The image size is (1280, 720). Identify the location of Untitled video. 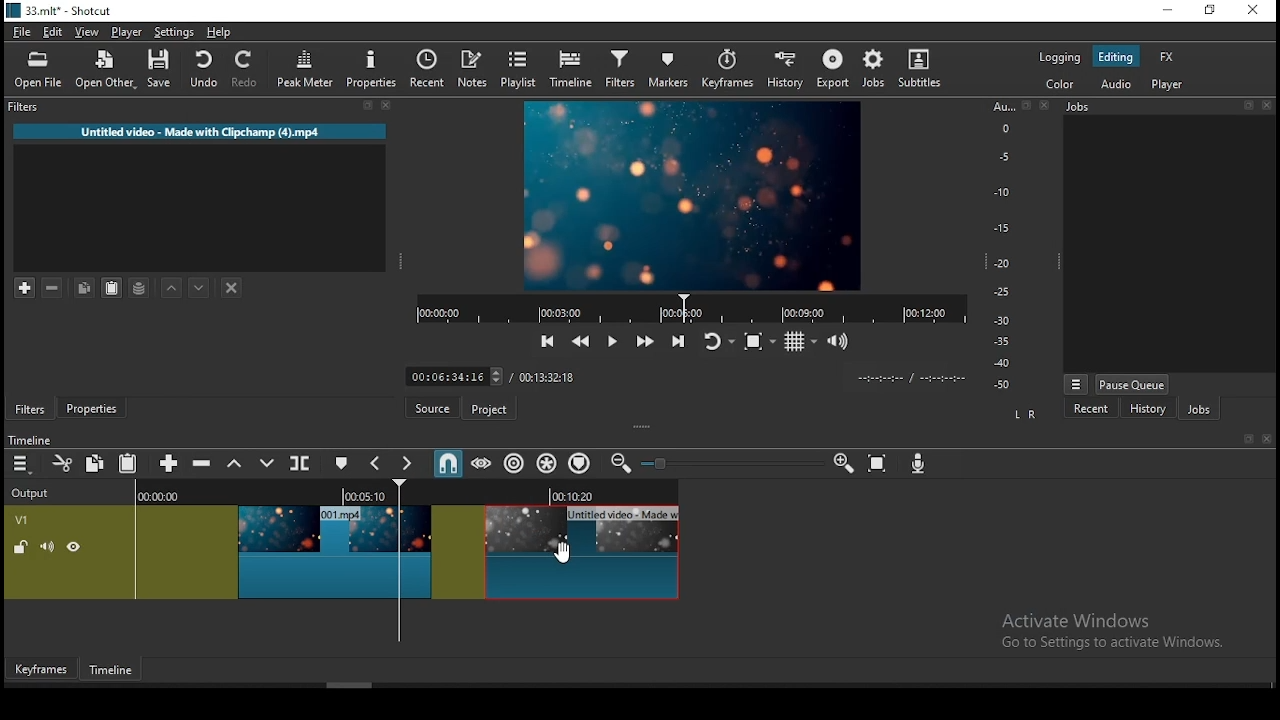
(195, 135).